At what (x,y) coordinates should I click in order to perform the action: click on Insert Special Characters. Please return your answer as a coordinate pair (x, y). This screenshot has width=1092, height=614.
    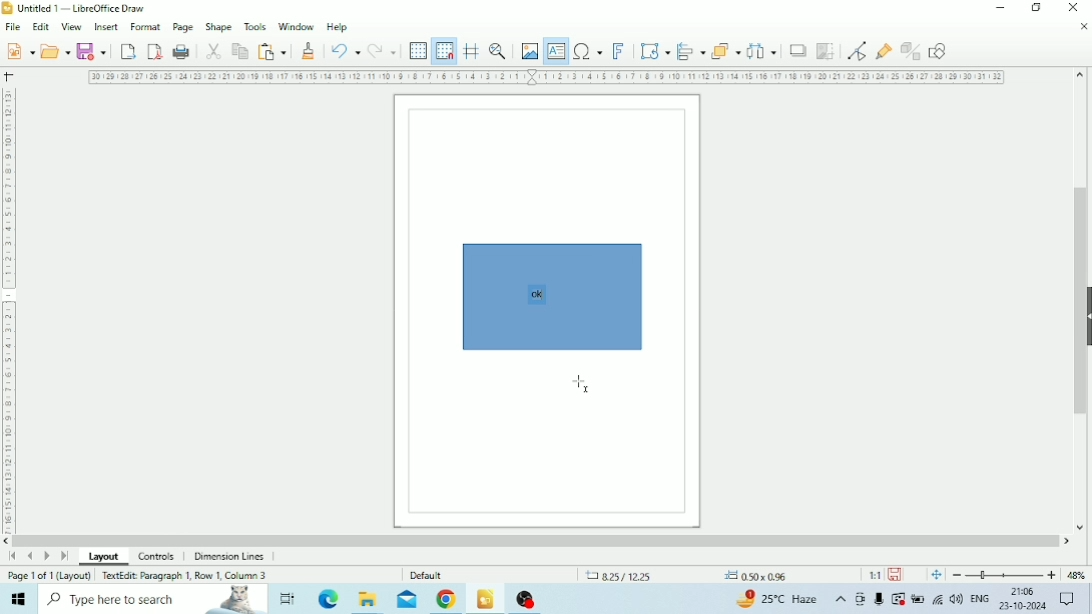
    Looking at the image, I should click on (588, 51).